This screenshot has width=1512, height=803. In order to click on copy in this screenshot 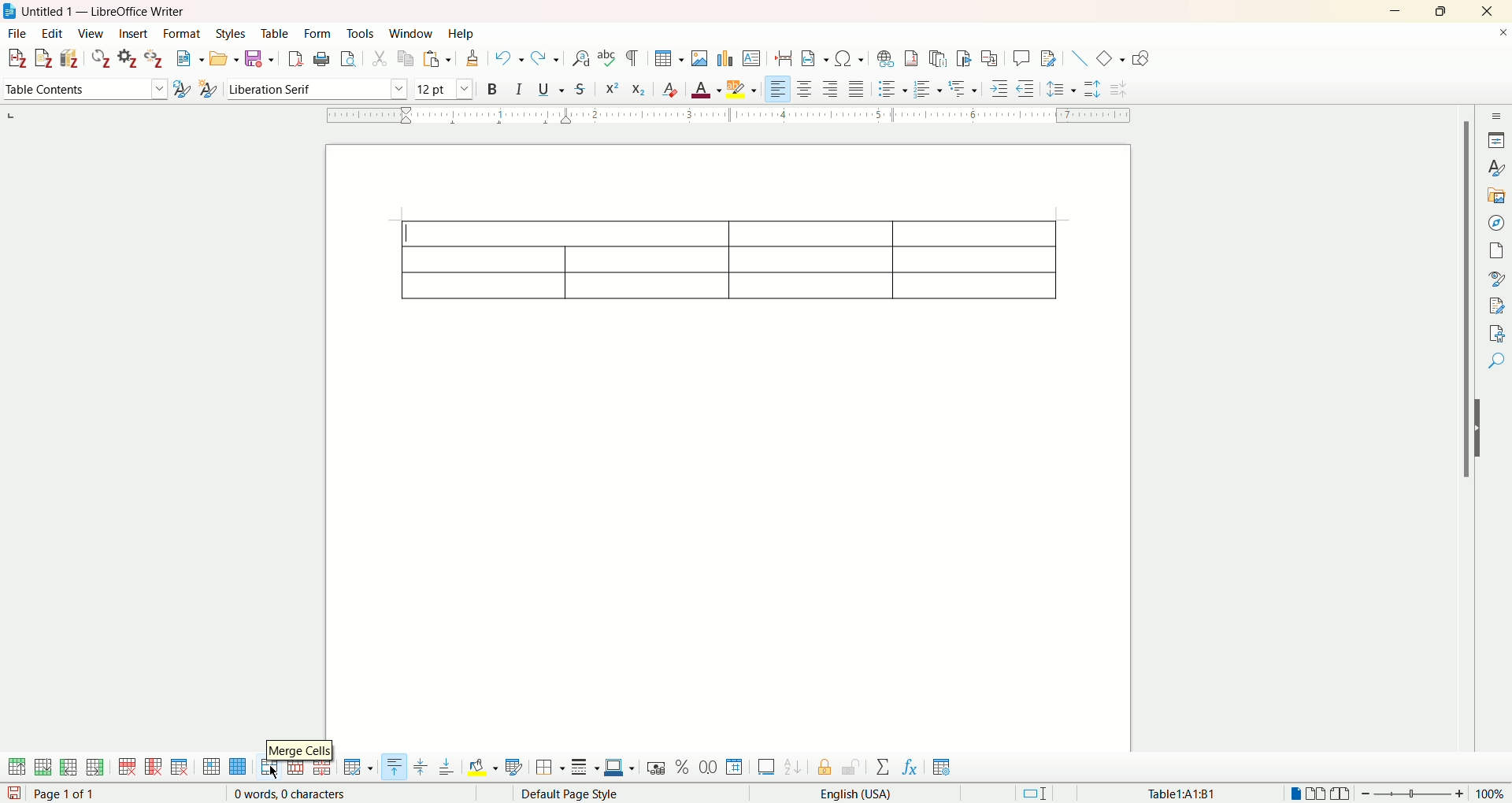, I will do `click(409, 59)`.